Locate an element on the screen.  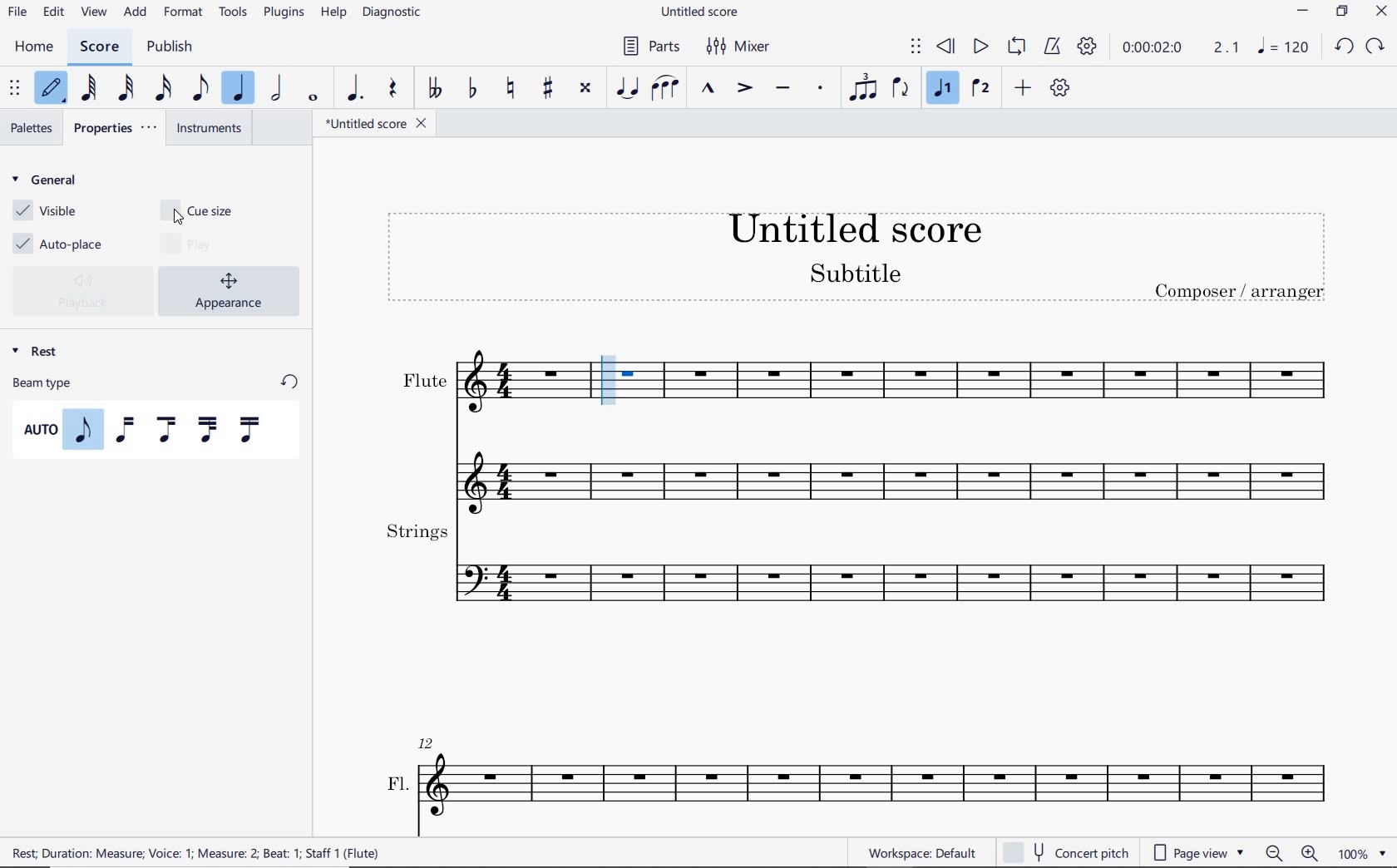
CUE SIZE is located at coordinates (208, 209).